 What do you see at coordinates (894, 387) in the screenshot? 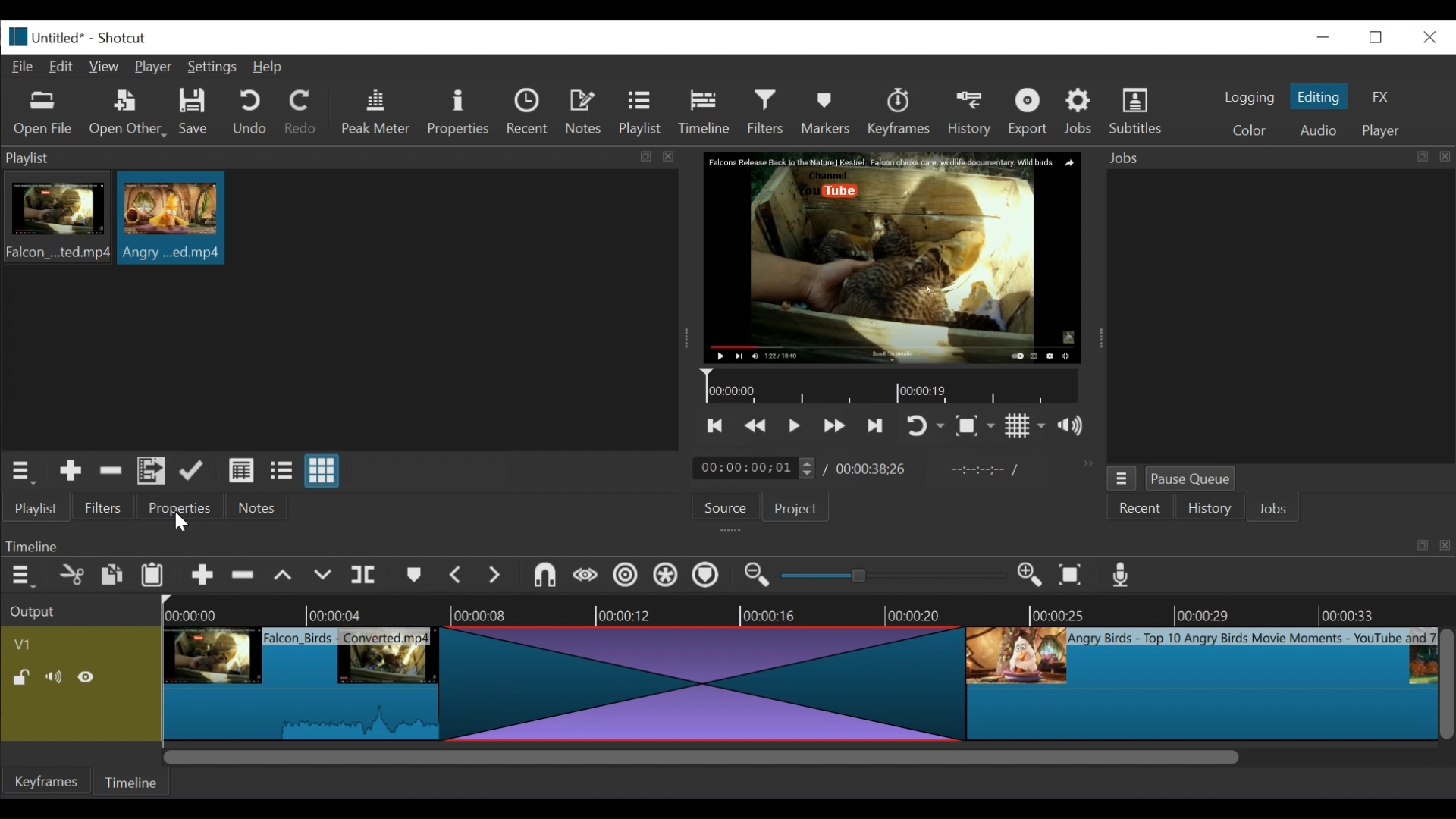
I see `Timeline` at bounding box center [894, 387].